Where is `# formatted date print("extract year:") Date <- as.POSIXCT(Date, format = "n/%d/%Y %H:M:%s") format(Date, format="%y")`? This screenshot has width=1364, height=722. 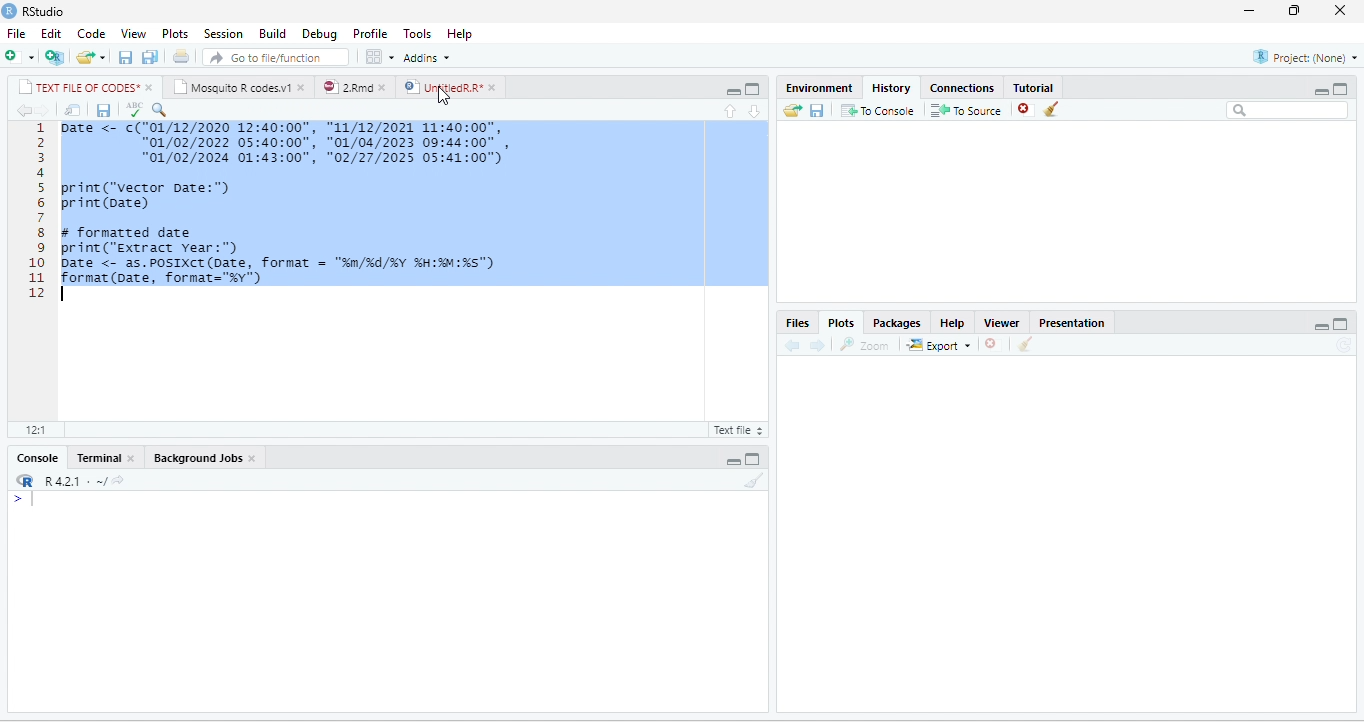
# formatted date print("extract year:") Date <- as.POSIXCT(Date, format = "n/%d/%Y %H:M:%s") format(Date, format="%y") is located at coordinates (306, 254).